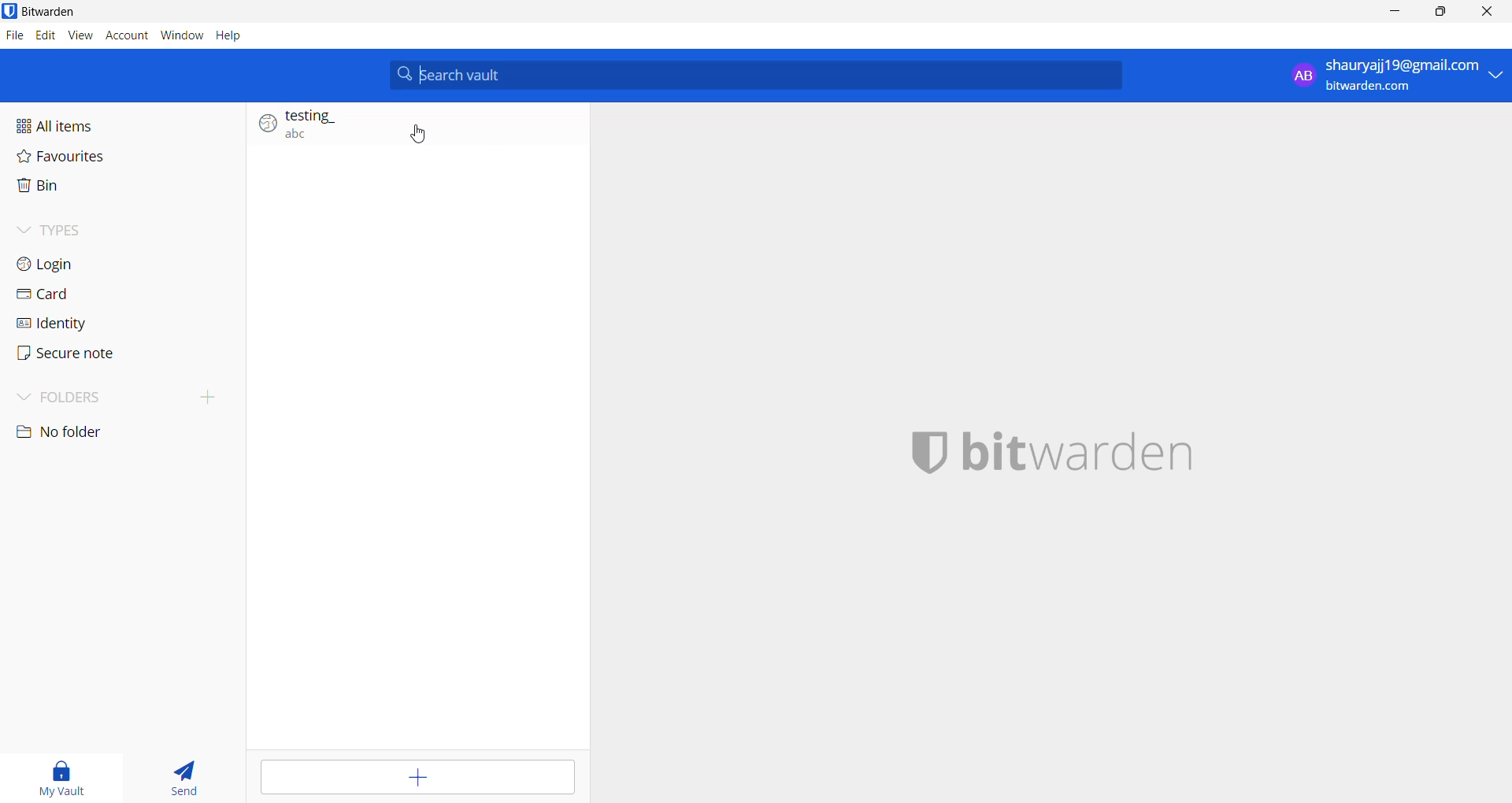 The width and height of the screenshot is (1512, 803). I want to click on Secure note, so click(79, 354).